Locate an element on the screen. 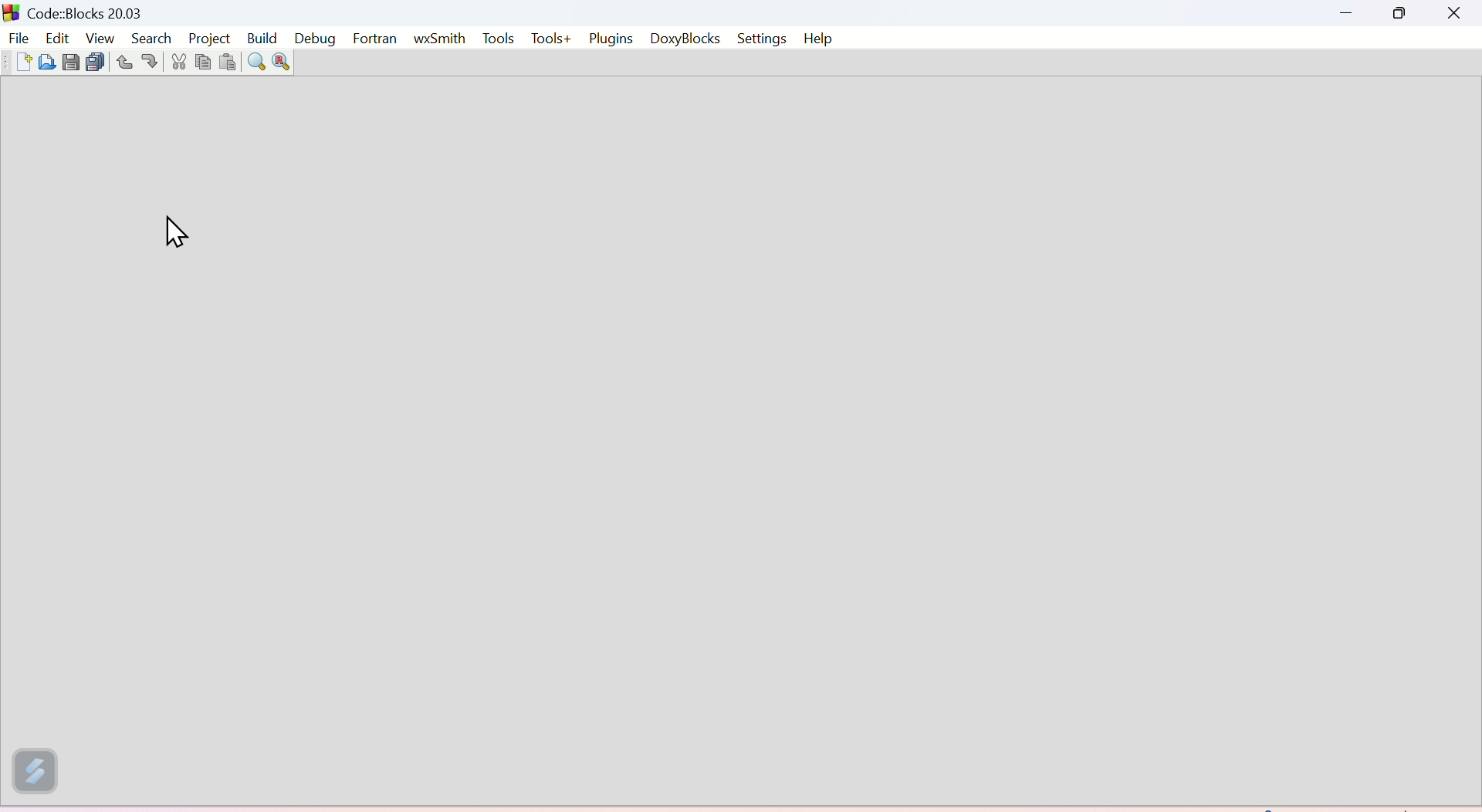 This screenshot has width=1482, height=812. wxSmith is located at coordinates (436, 41).